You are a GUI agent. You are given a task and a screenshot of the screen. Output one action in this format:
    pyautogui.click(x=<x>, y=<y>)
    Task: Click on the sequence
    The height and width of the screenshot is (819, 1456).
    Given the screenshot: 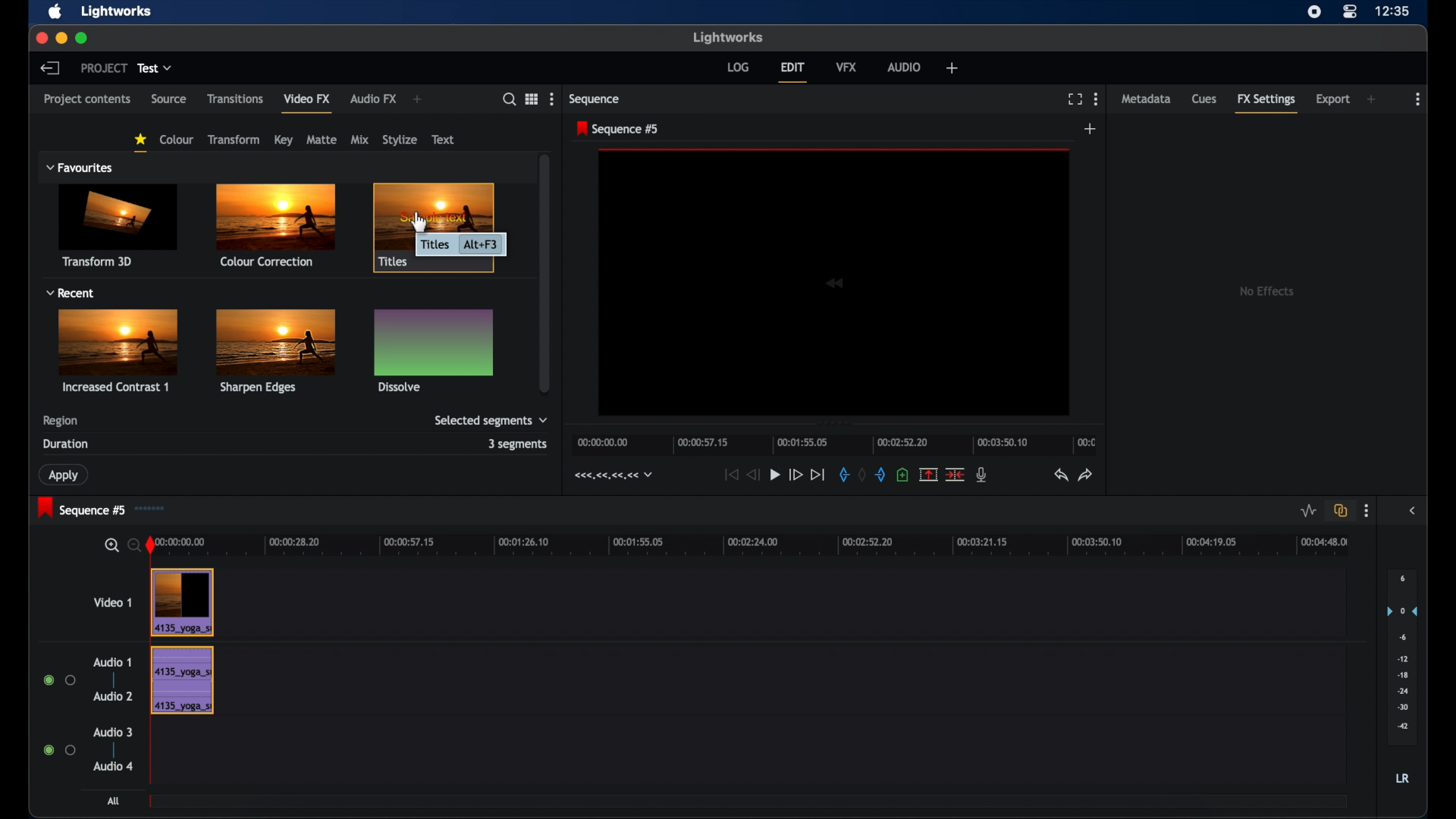 What is the action you would take?
    pyautogui.click(x=595, y=99)
    